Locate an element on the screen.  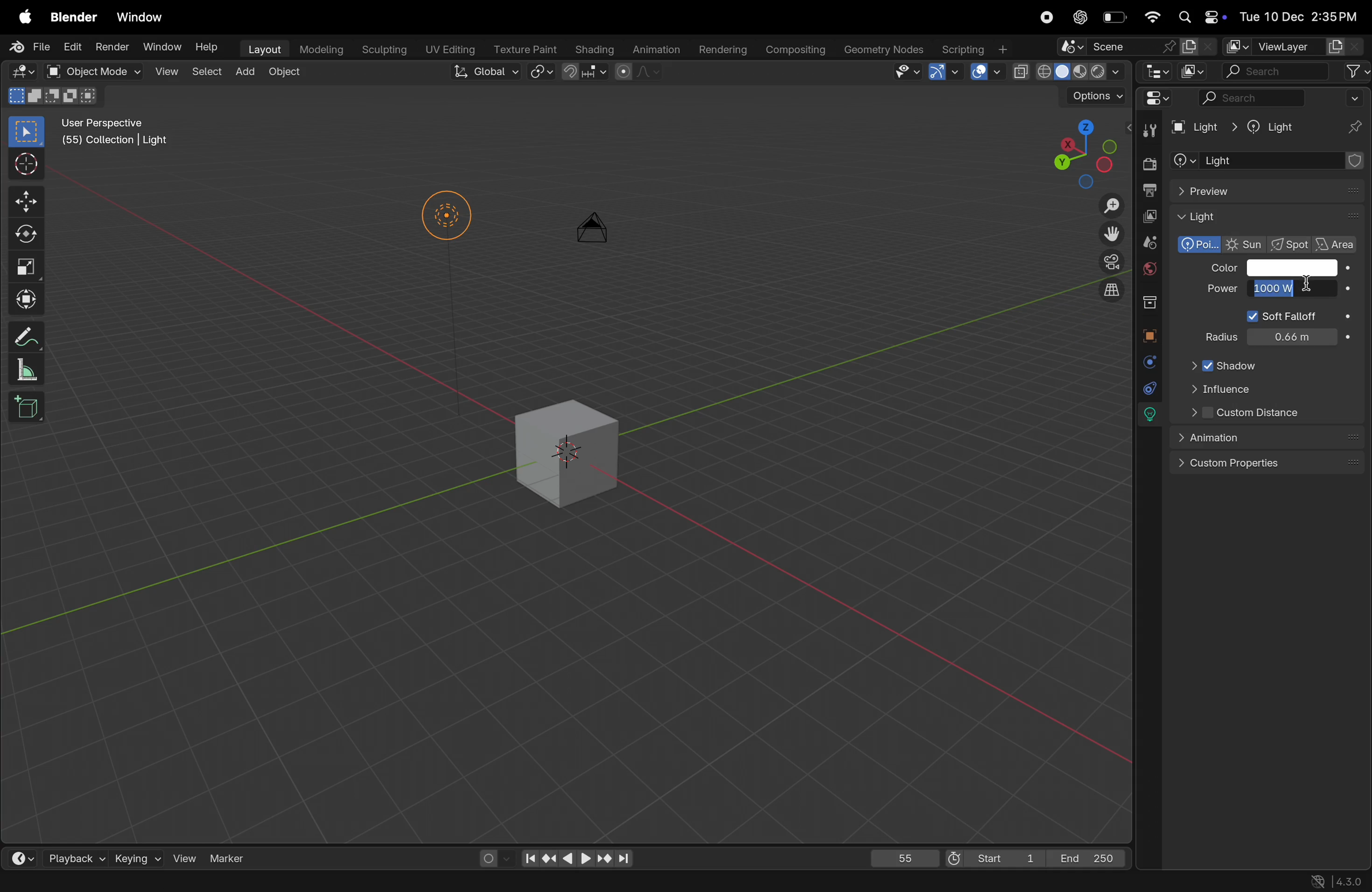
move the view is located at coordinates (1112, 235).